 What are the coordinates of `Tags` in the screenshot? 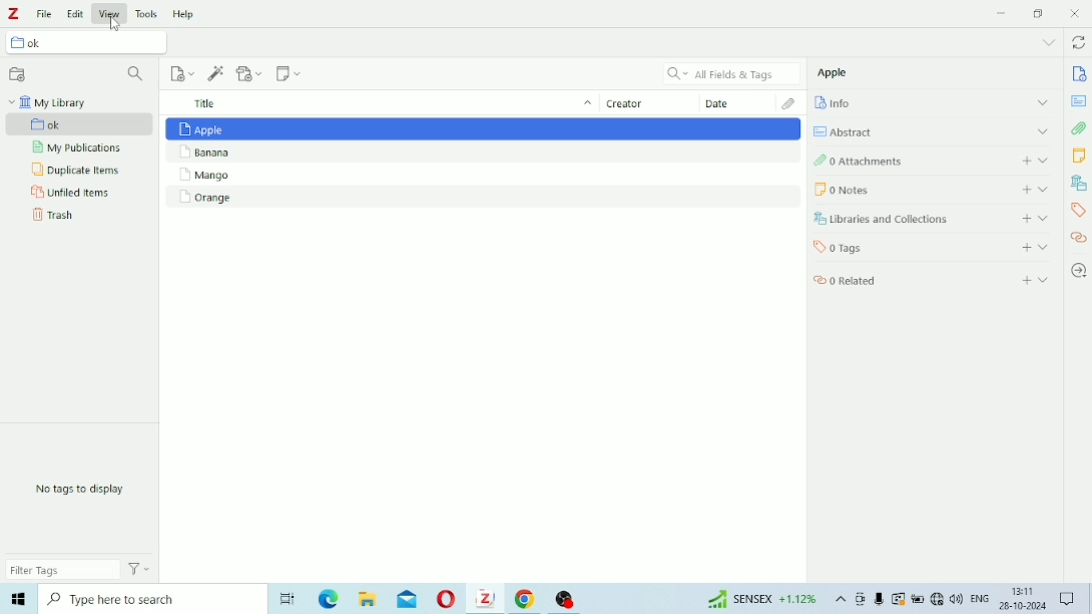 It's located at (881, 248).